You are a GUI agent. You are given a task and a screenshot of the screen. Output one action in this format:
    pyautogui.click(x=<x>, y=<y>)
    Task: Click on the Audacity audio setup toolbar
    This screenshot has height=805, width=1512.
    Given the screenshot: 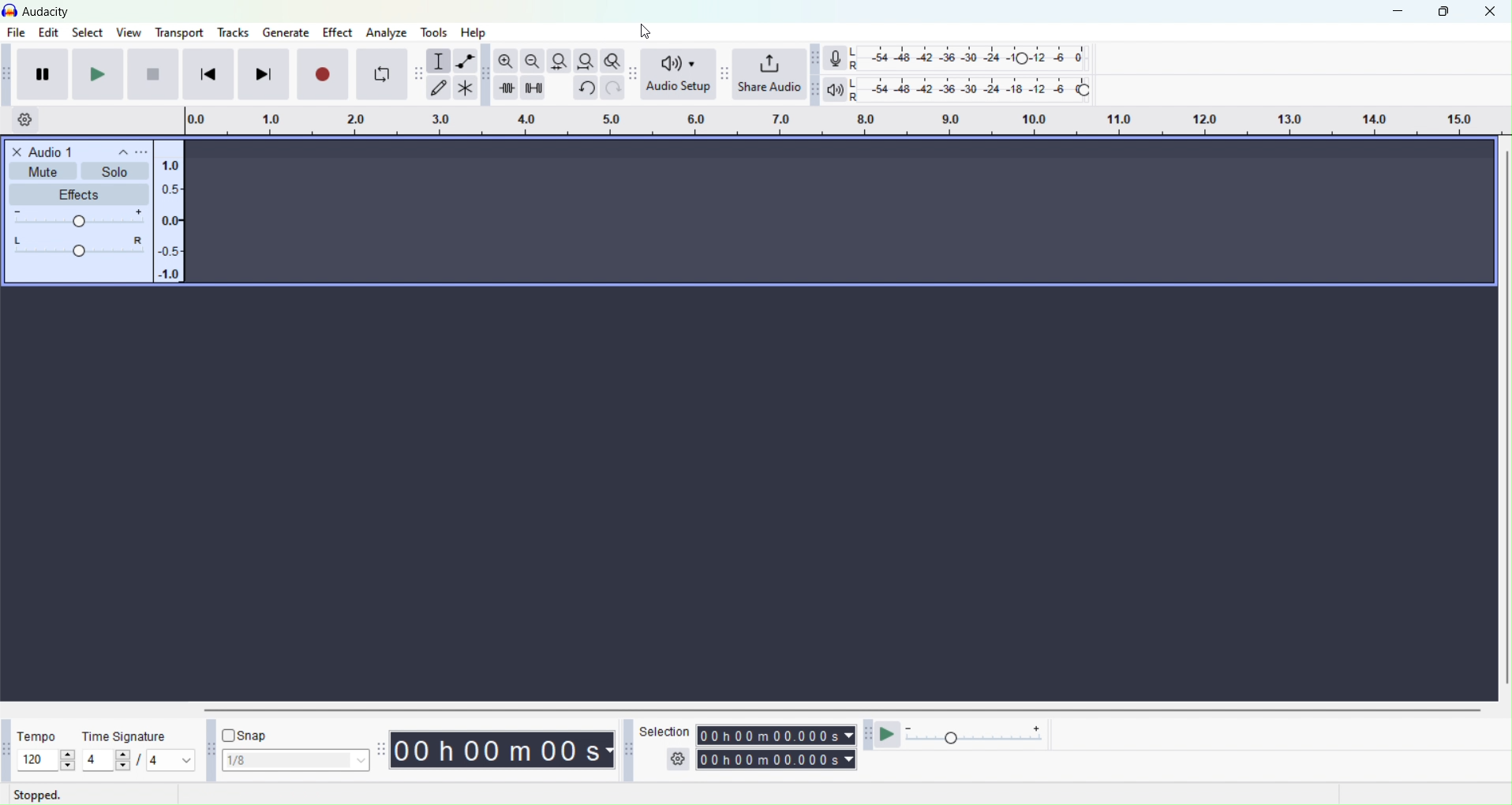 What is the action you would take?
    pyautogui.click(x=634, y=74)
    